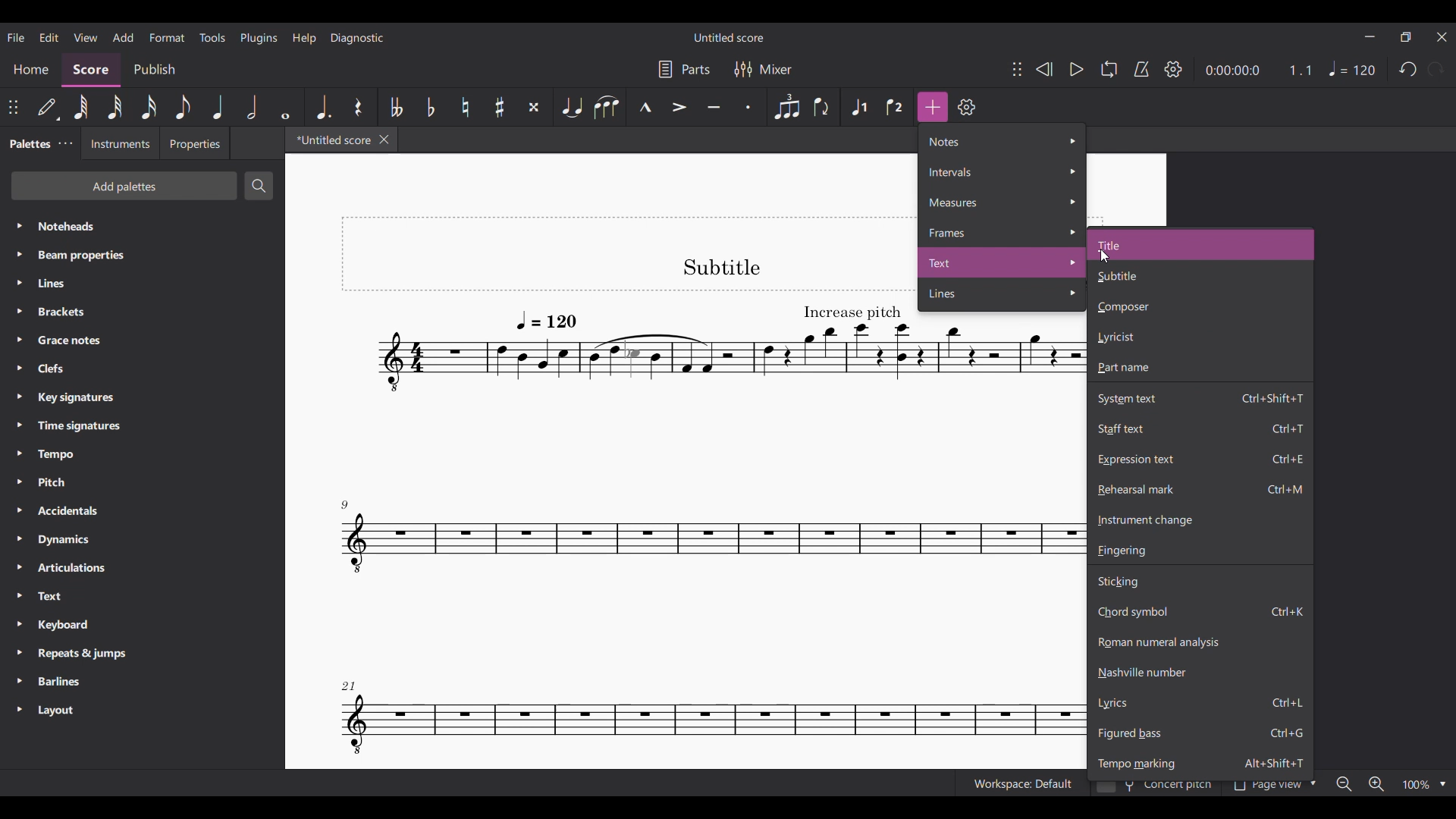 This screenshot has width=1456, height=819. What do you see at coordinates (1199, 276) in the screenshot?
I see `Subtitle ` at bounding box center [1199, 276].